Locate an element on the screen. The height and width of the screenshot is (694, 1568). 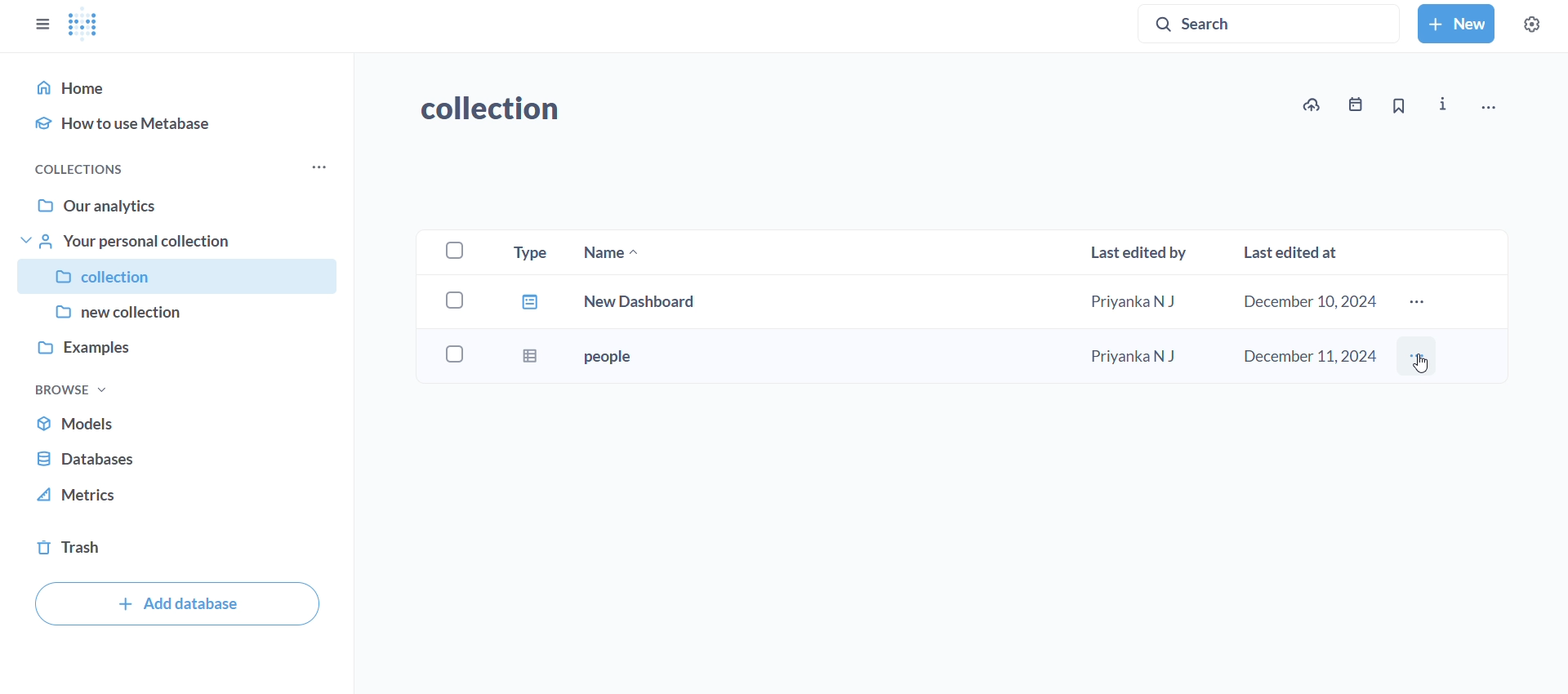
bookmarks is located at coordinates (1396, 107).